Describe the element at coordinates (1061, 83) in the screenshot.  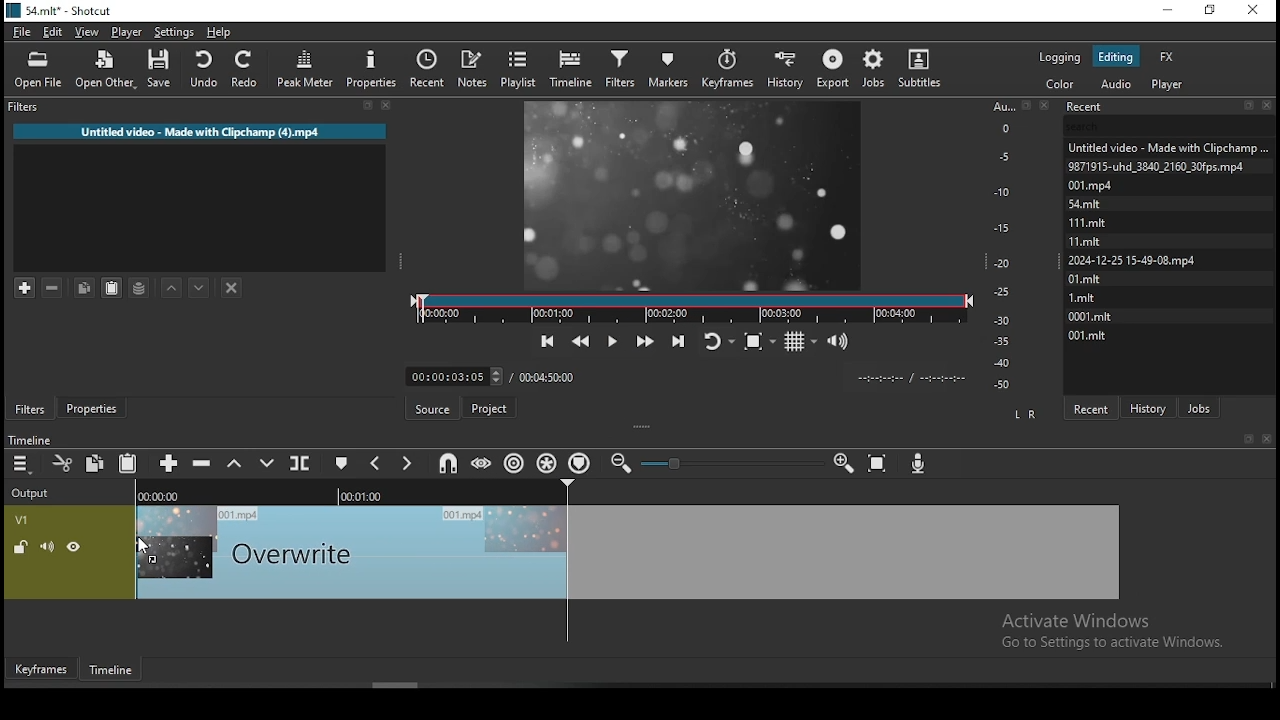
I see `color` at that location.